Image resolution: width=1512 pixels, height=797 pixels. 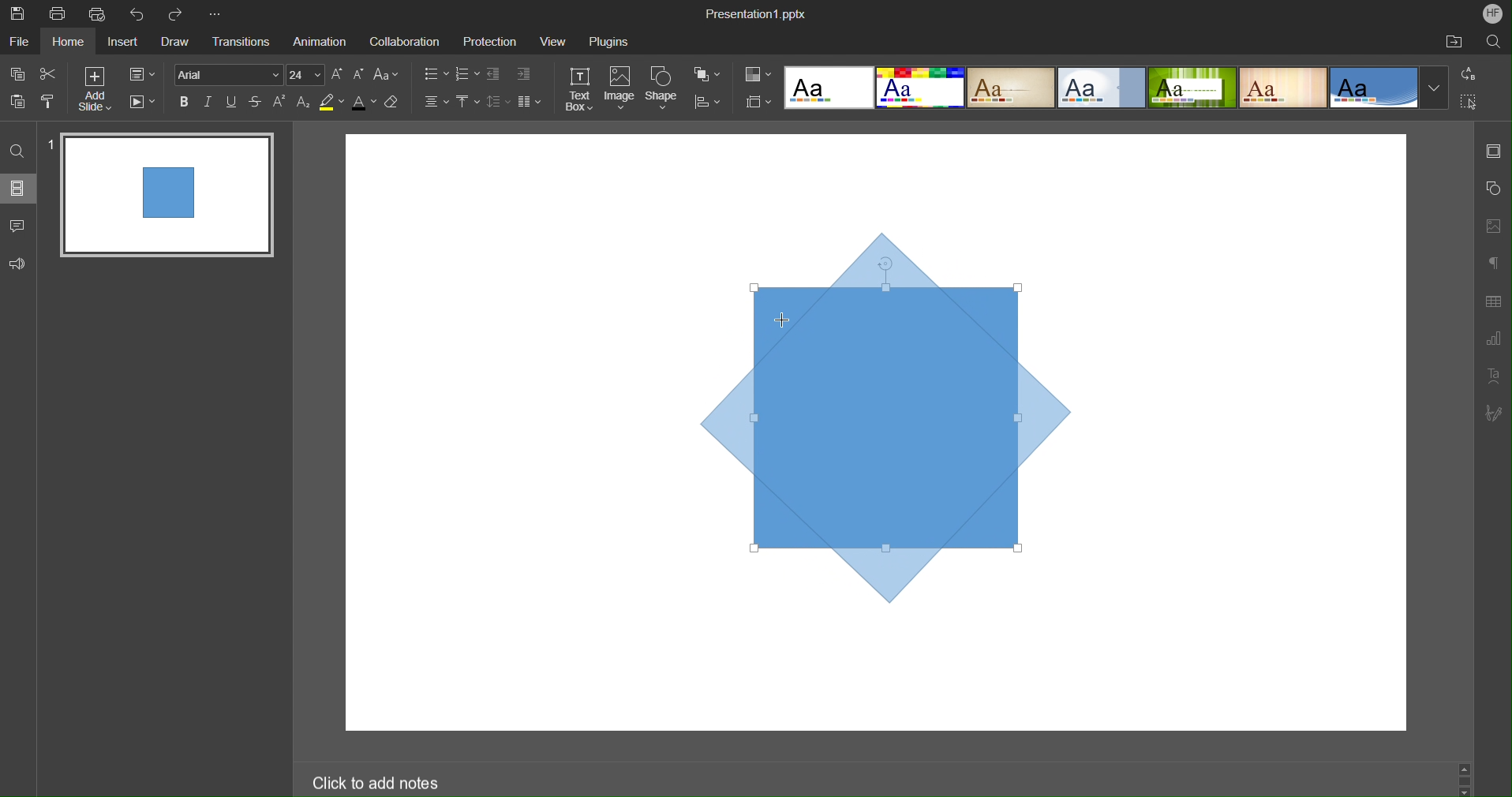 What do you see at coordinates (93, 89) in the screenshot?
I see `Add Slide` at bounding box center [93, 89].